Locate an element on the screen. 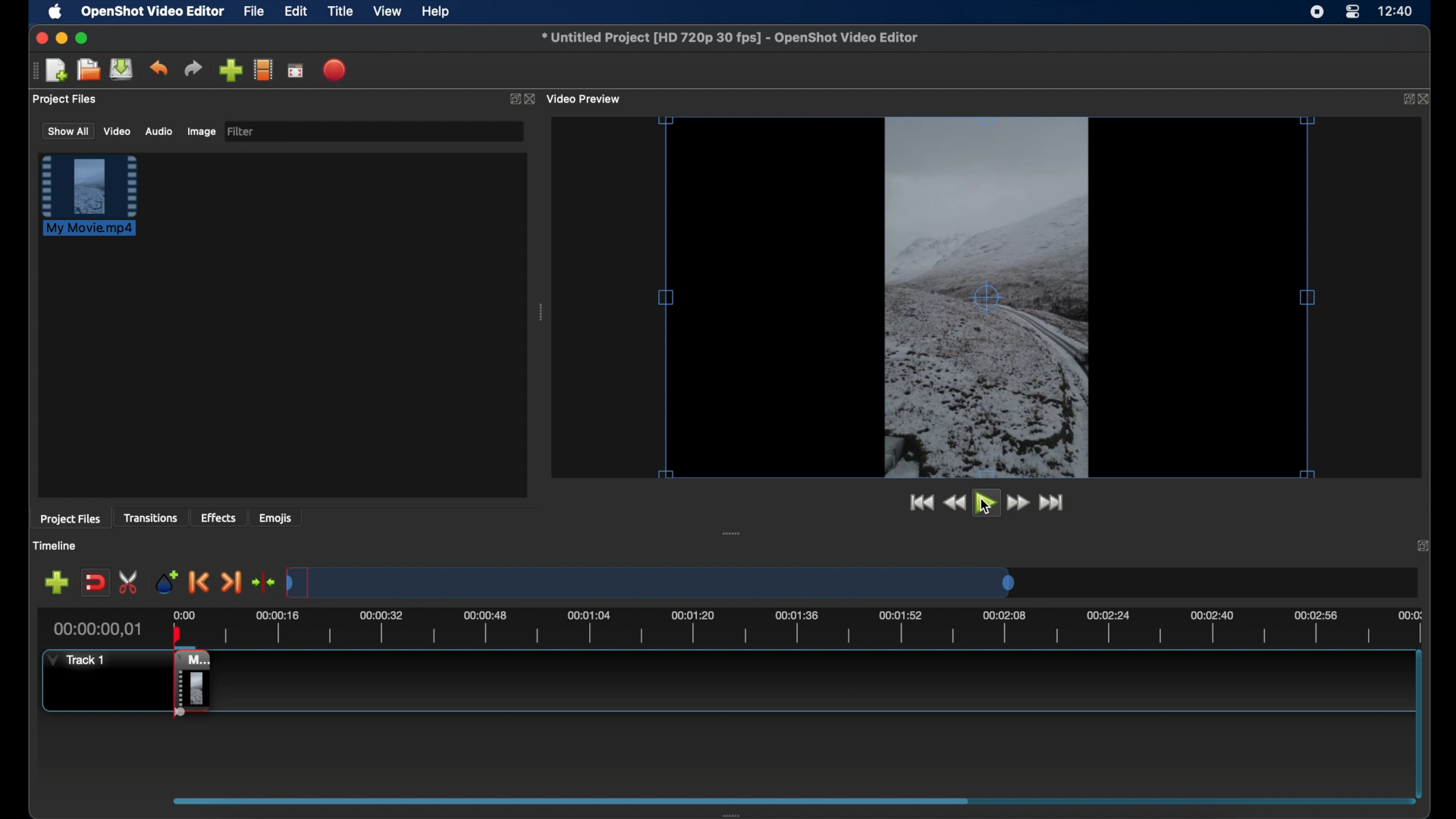 Image resolution: width=1456 pixels, height=819 pixels. minimize is located at coordinates (61, 38).